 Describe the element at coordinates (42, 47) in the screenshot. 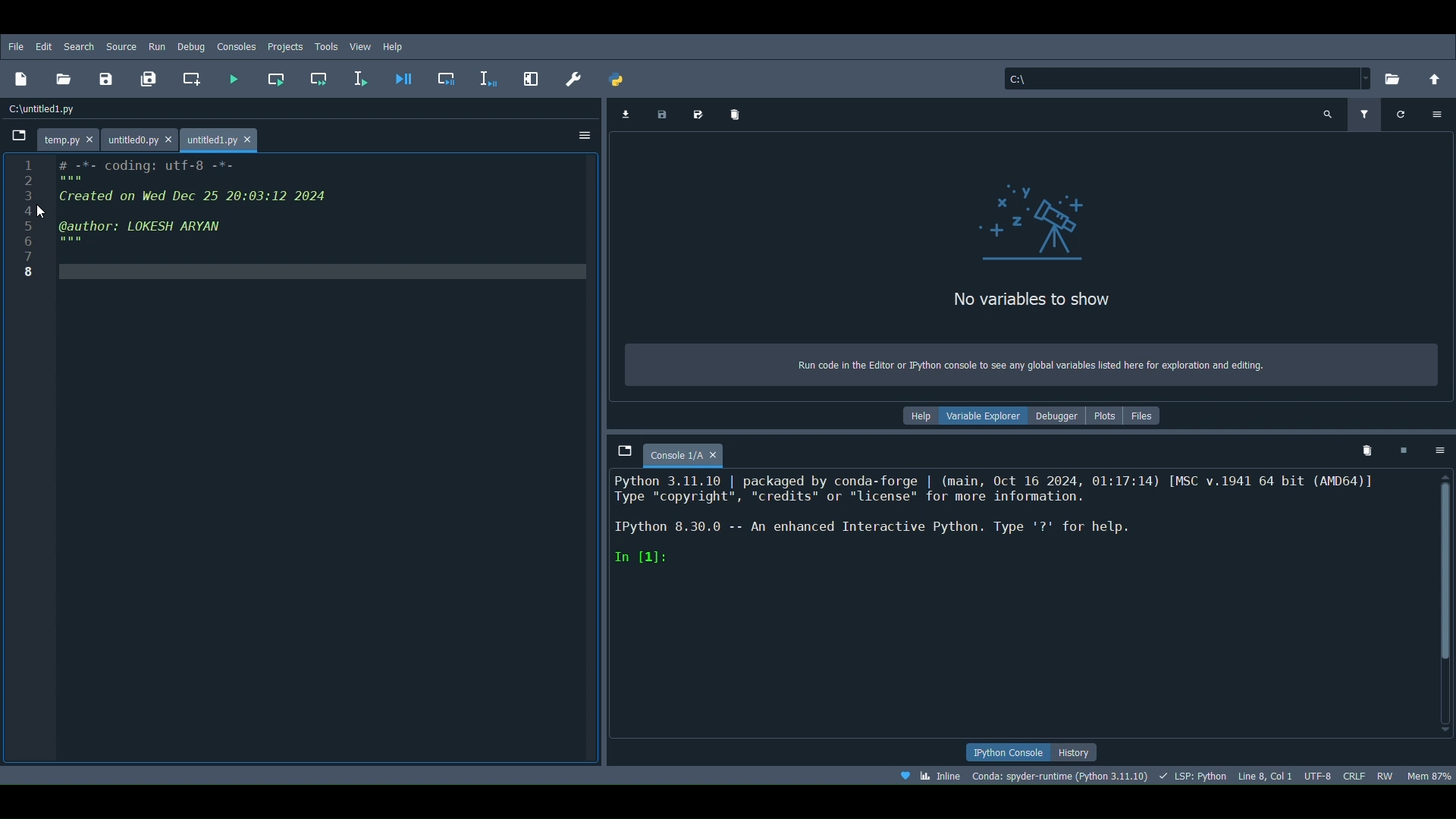

I see `Edit` at that location.